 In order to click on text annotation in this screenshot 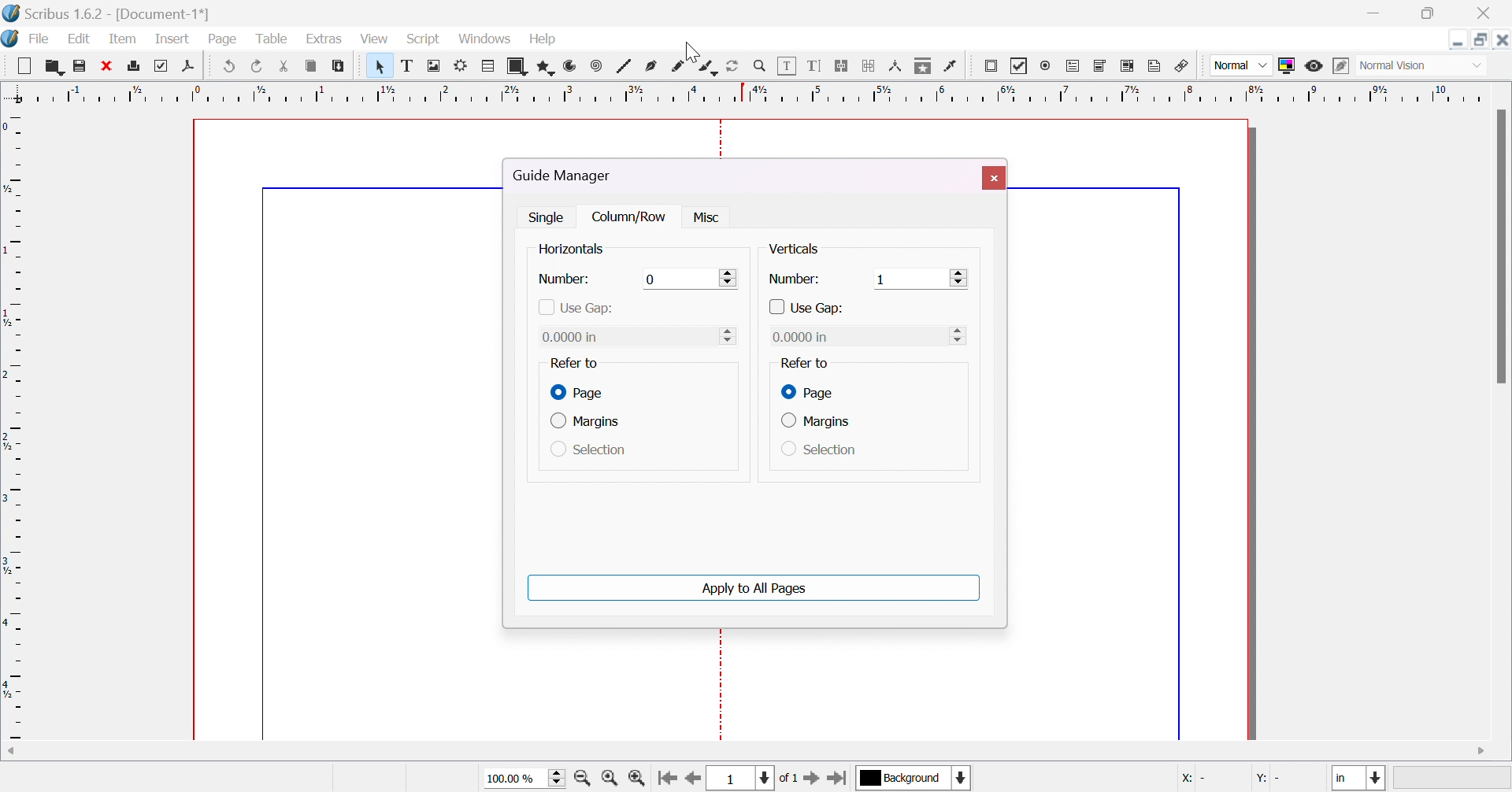, I will do `click(1158, 67)`.